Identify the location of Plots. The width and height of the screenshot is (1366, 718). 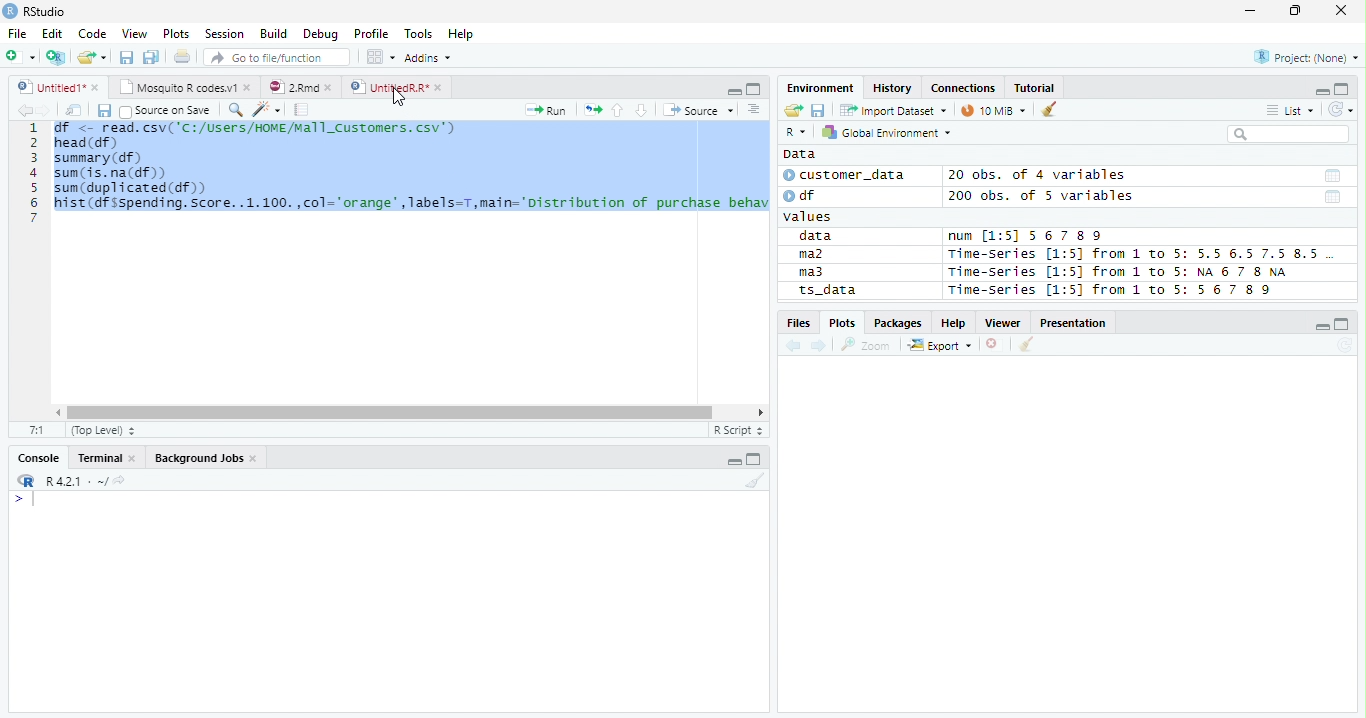
(842, 322).